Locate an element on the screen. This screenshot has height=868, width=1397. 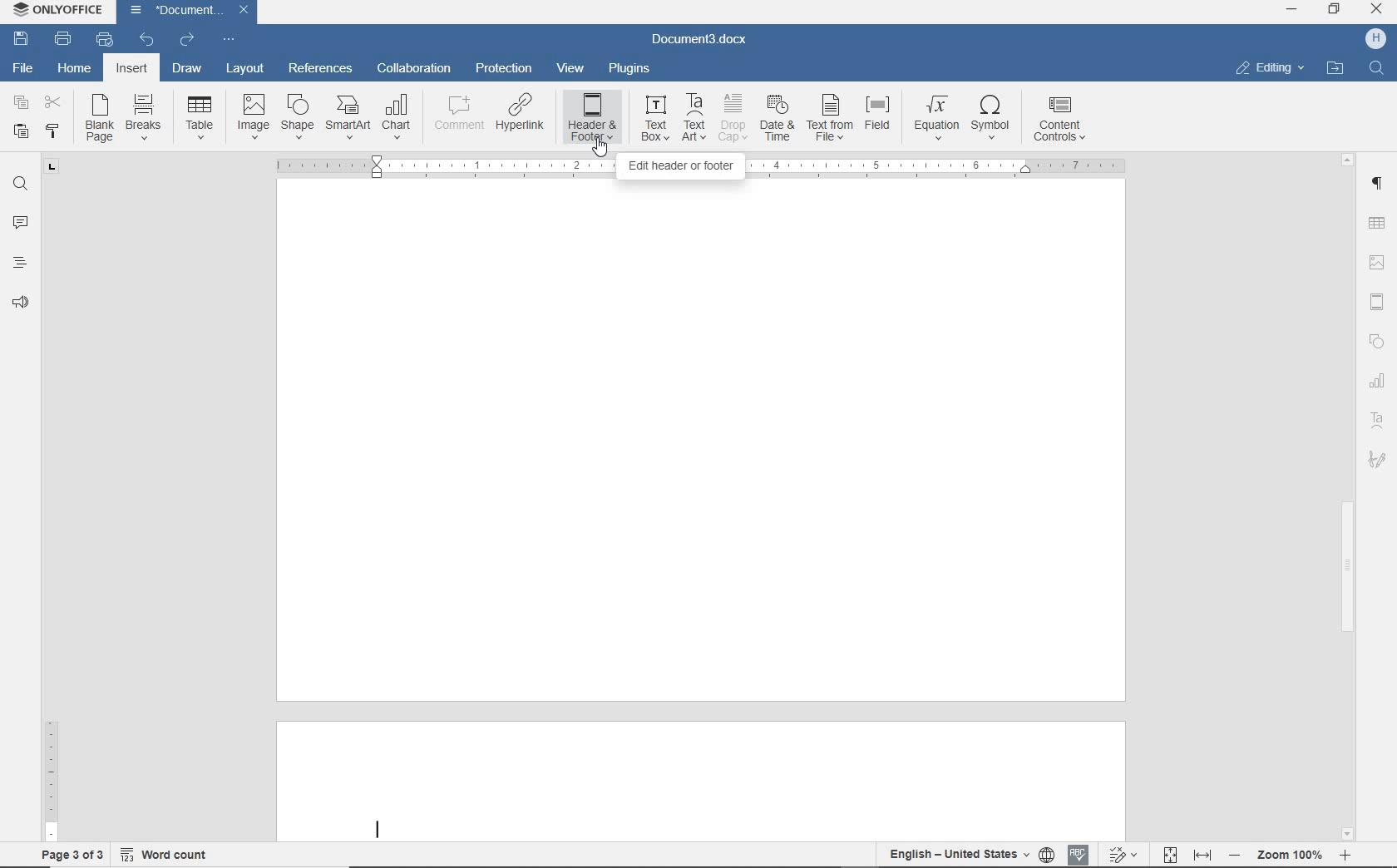
HOME is located at coordinates (76, 69).